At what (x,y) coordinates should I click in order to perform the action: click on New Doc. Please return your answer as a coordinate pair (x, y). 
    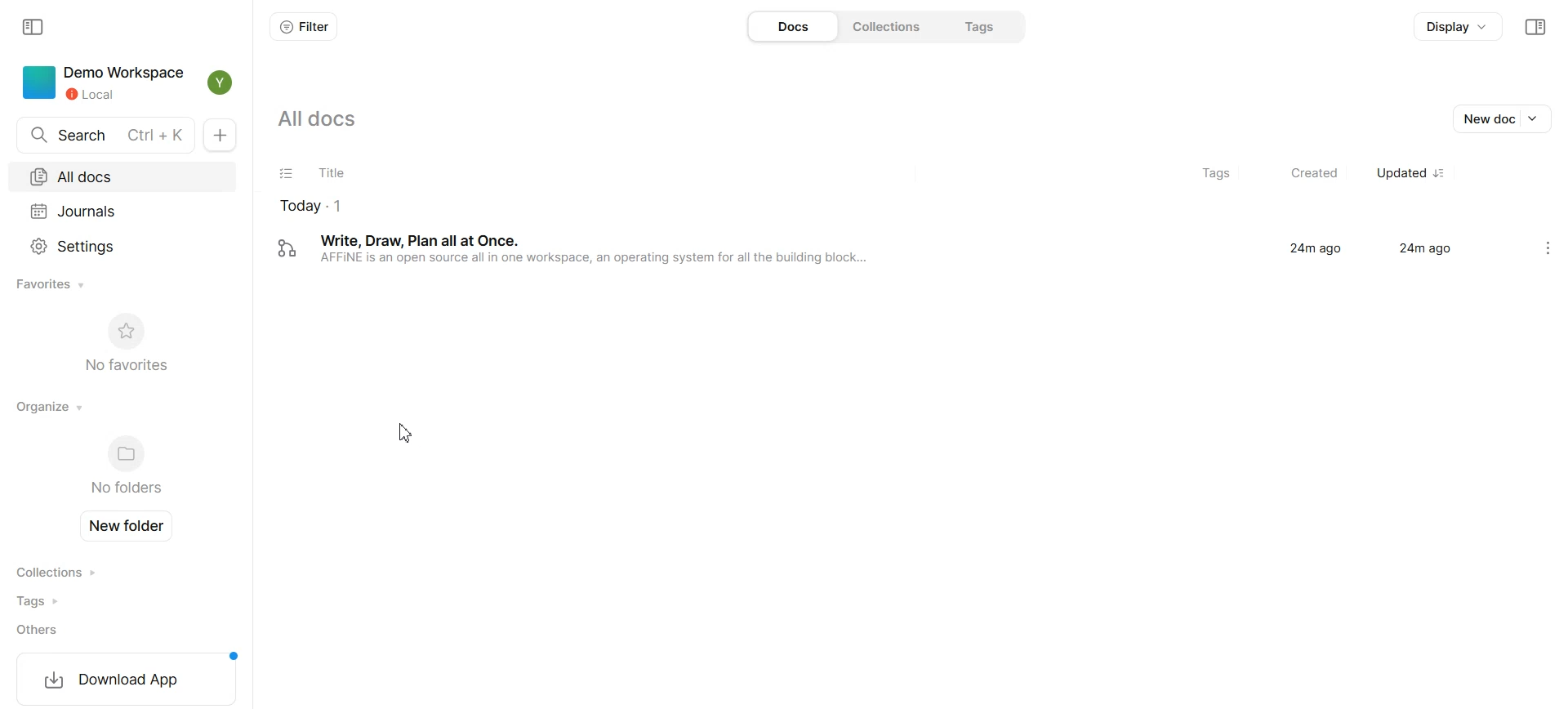
    Looking at the image, I should click on (220, 136).